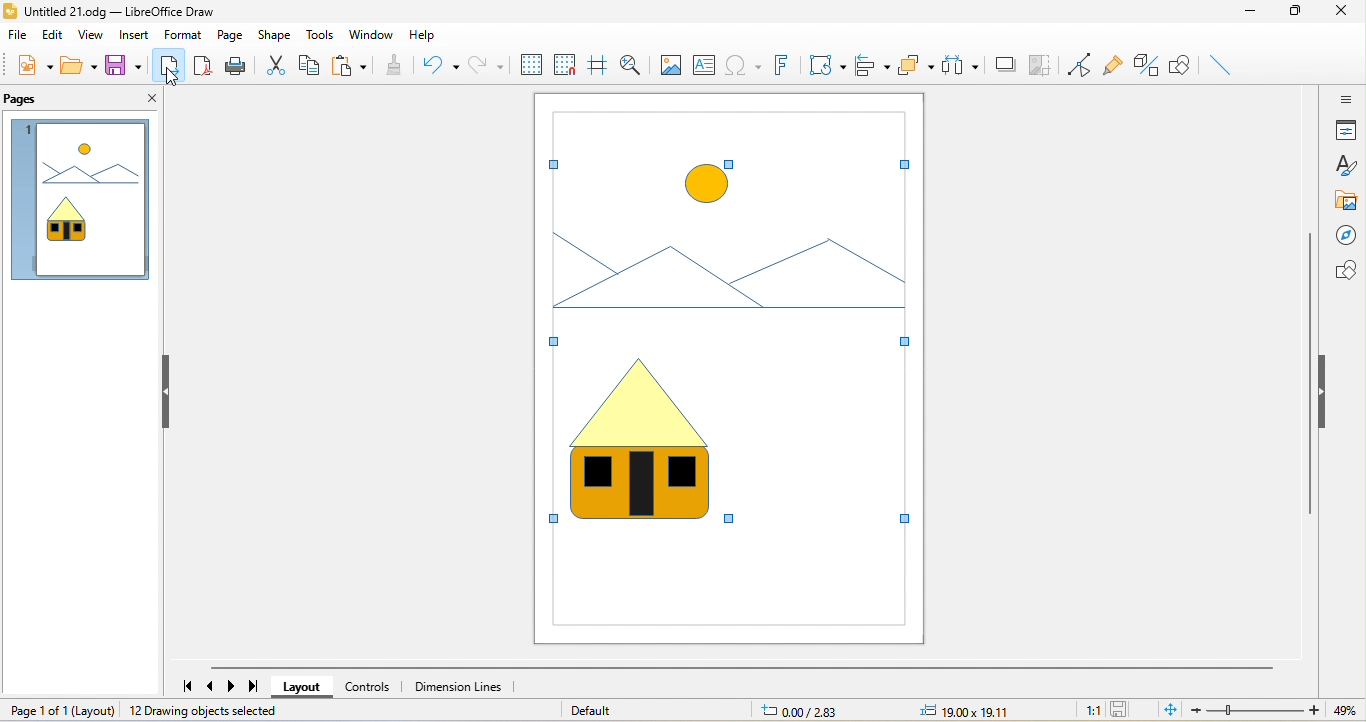 This screenshot has width=1366, height=722. I want to click on close, so click(145, 102).